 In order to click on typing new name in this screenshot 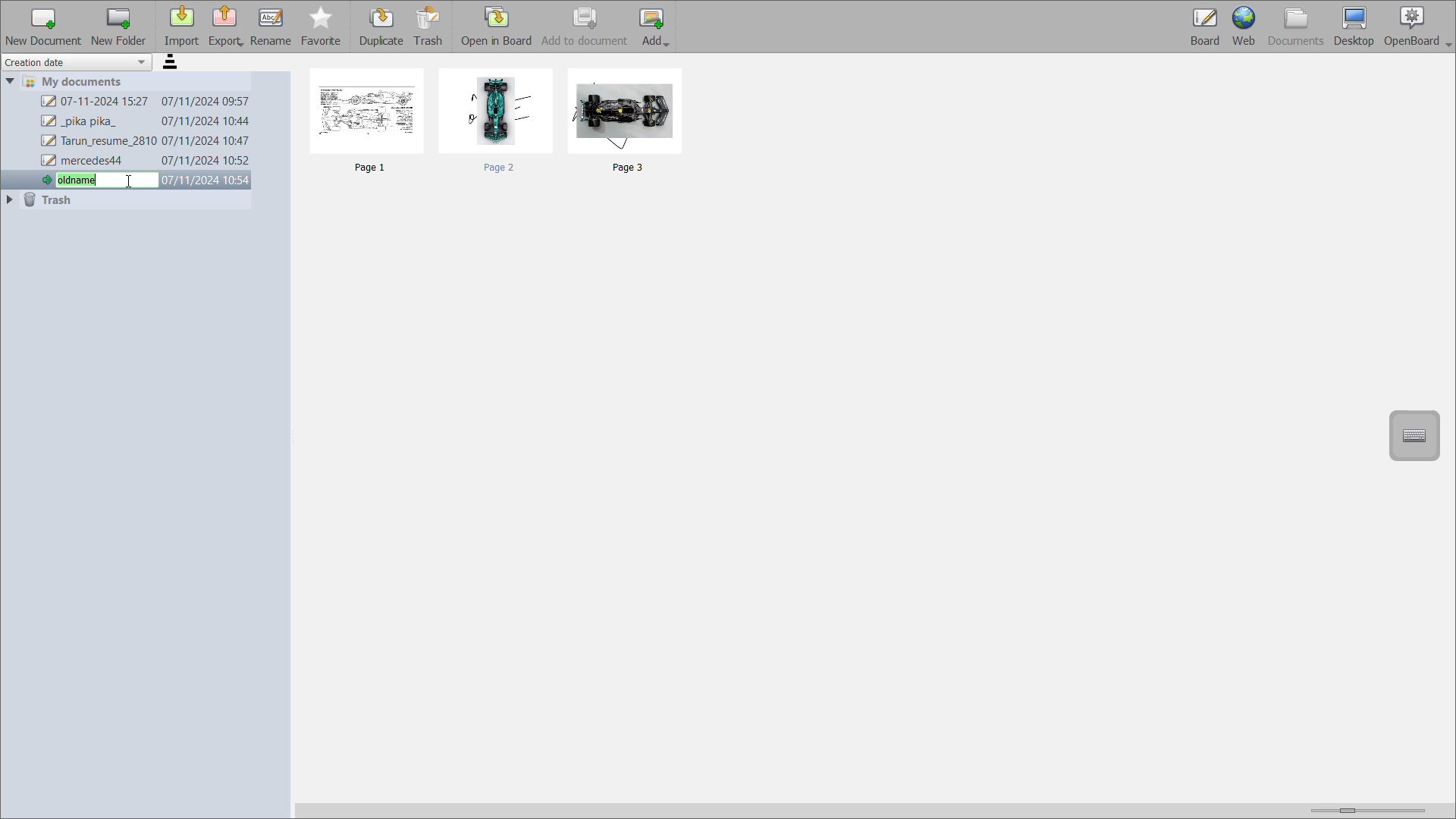, I will do `click(146, 180)`.